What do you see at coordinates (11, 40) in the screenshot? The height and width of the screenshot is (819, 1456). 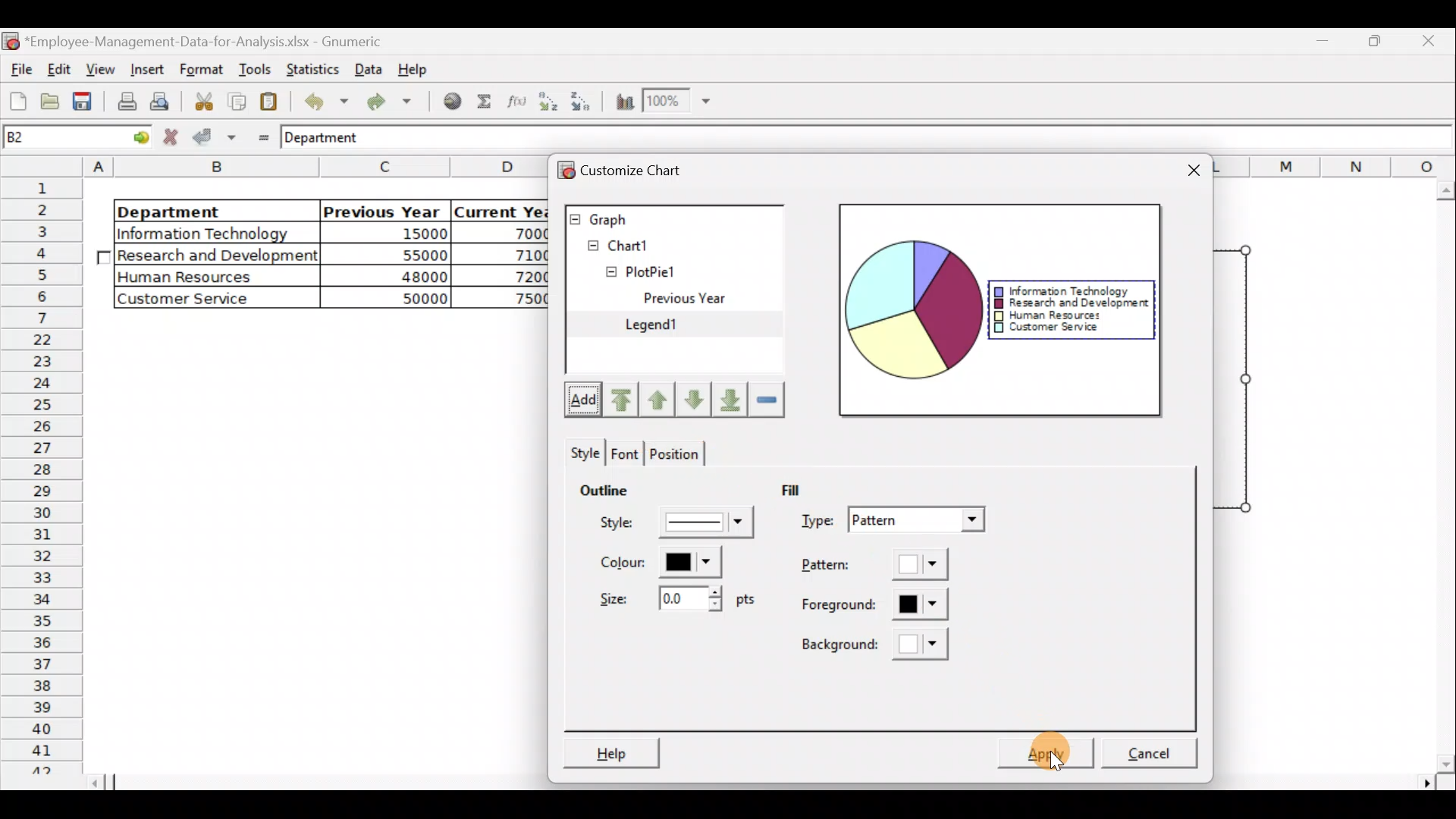 I see `Gnumeric logo` at bounding box center [11, 40].